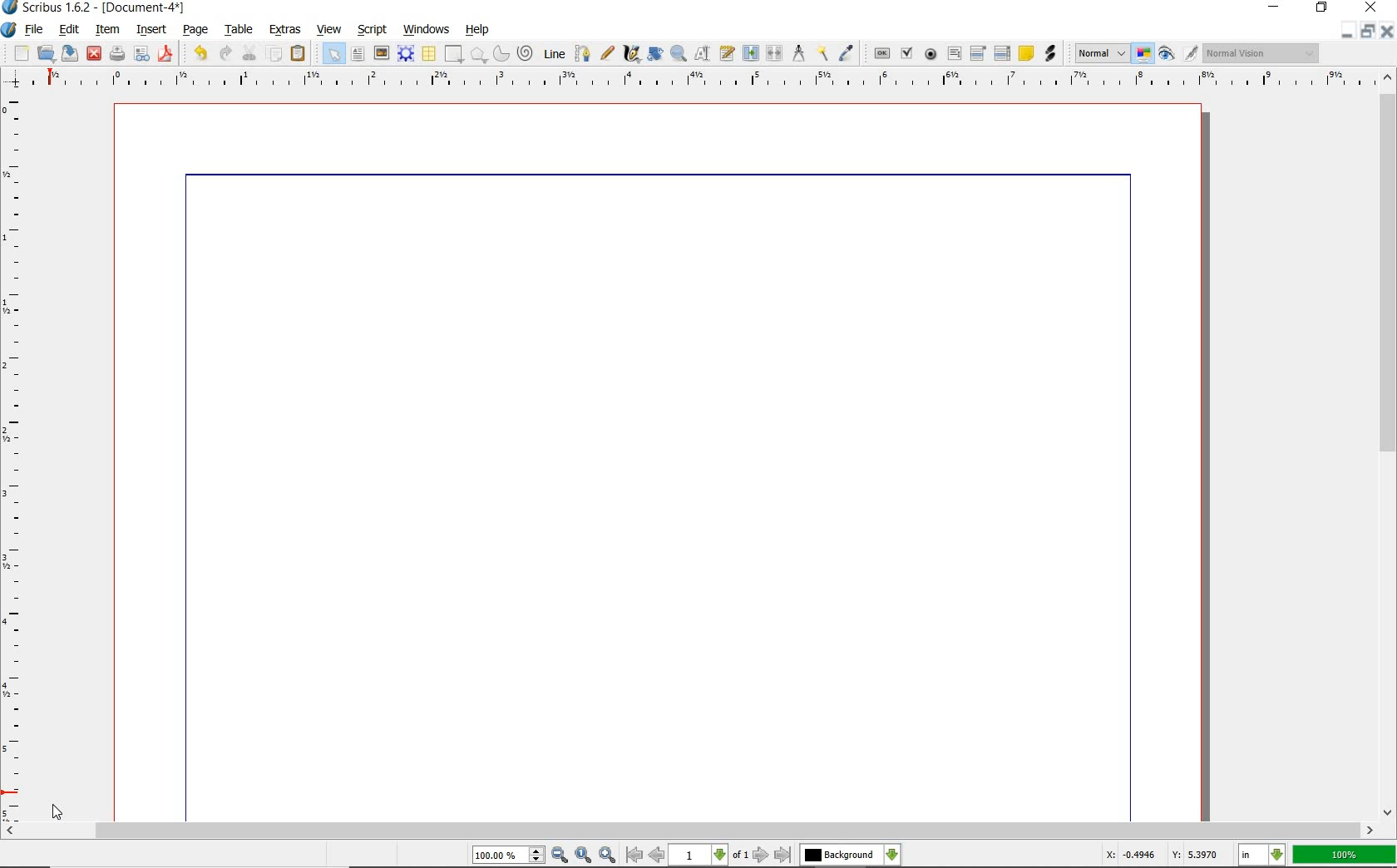 The width and height of the screenshot is (1397, 868). Describe the element at coordinates (740, 856) in the screenshot. I see `of 1` at that location.